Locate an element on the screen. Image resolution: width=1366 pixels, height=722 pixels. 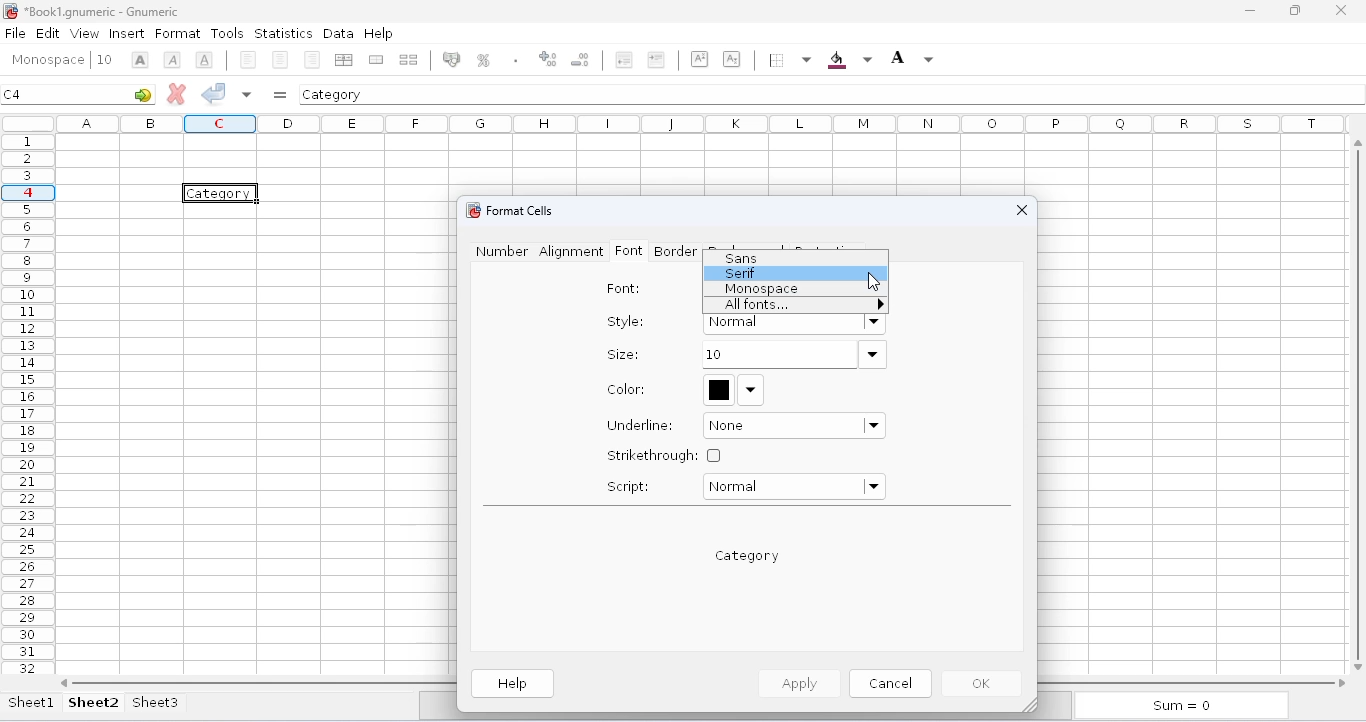
alignment is located at coordinates (571, 252).